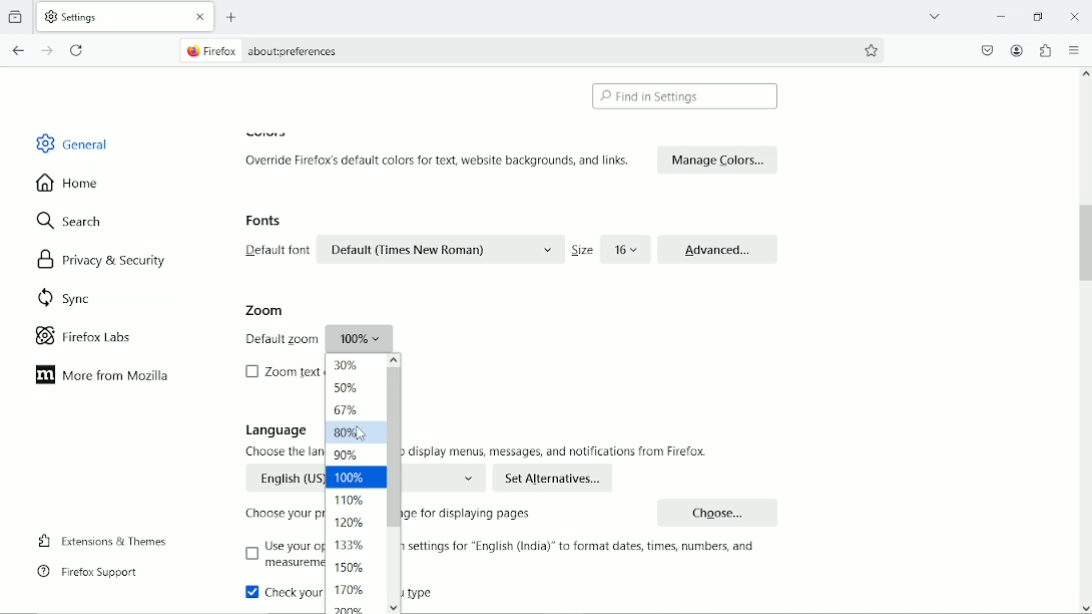 This screenshot has height=614, width=1092. What do you see at coordinates (233, 17) in the screenshot?
I see `new tab` at bounding box center [233, 17].